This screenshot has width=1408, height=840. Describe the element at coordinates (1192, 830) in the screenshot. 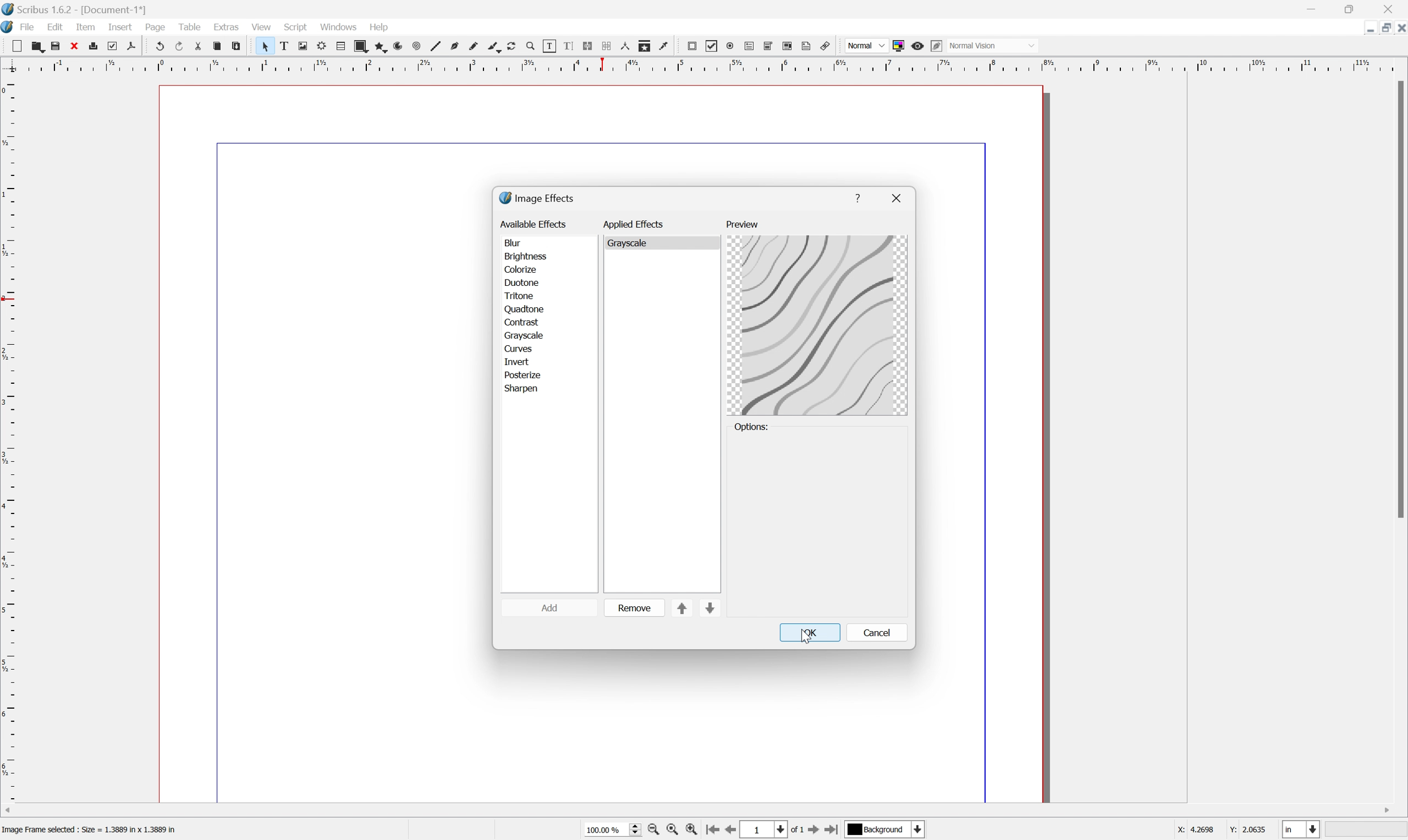

I see `x: 4.2698` at that location.